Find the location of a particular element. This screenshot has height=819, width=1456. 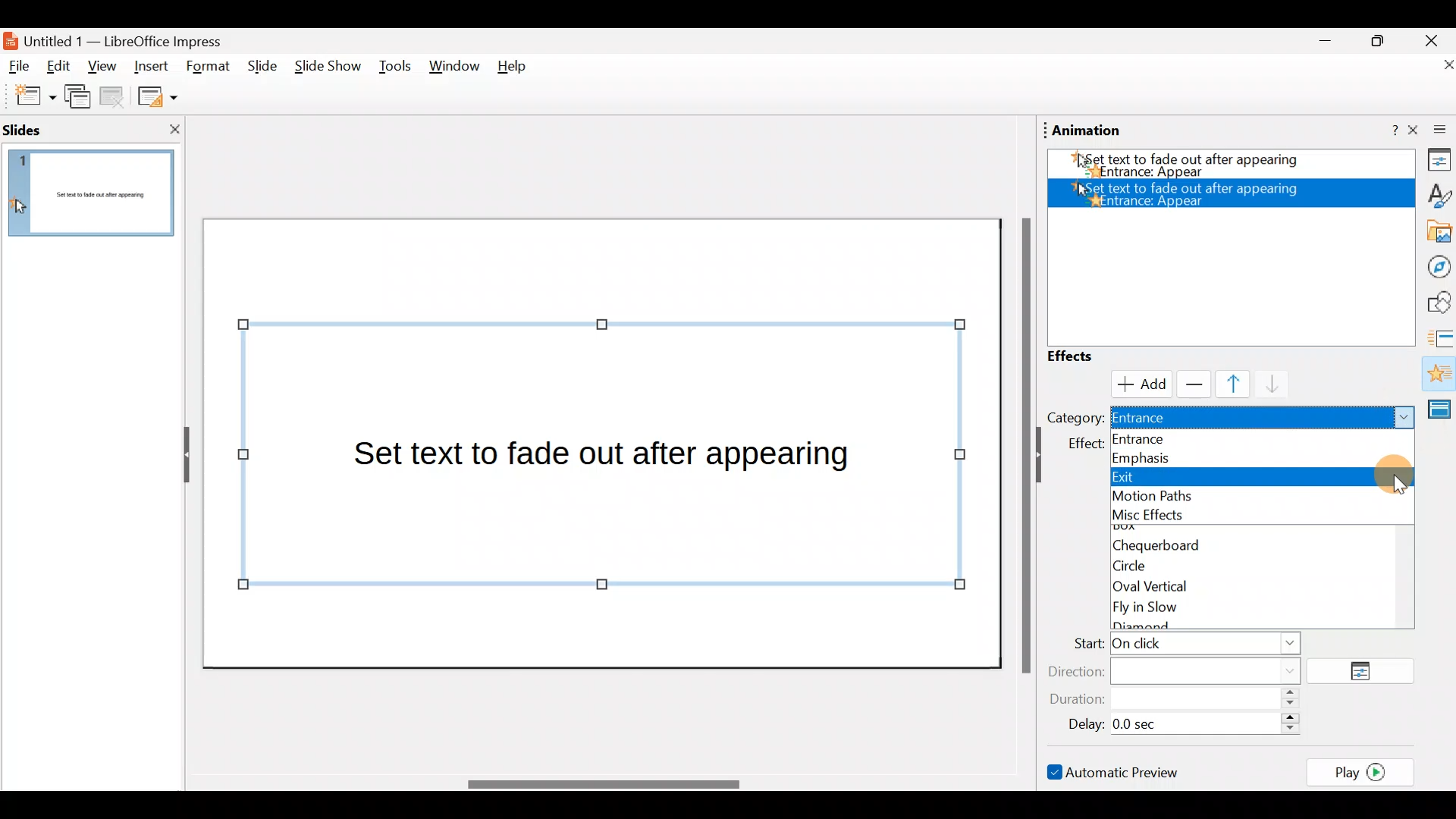

Tools is located at coordinates (395, 69).